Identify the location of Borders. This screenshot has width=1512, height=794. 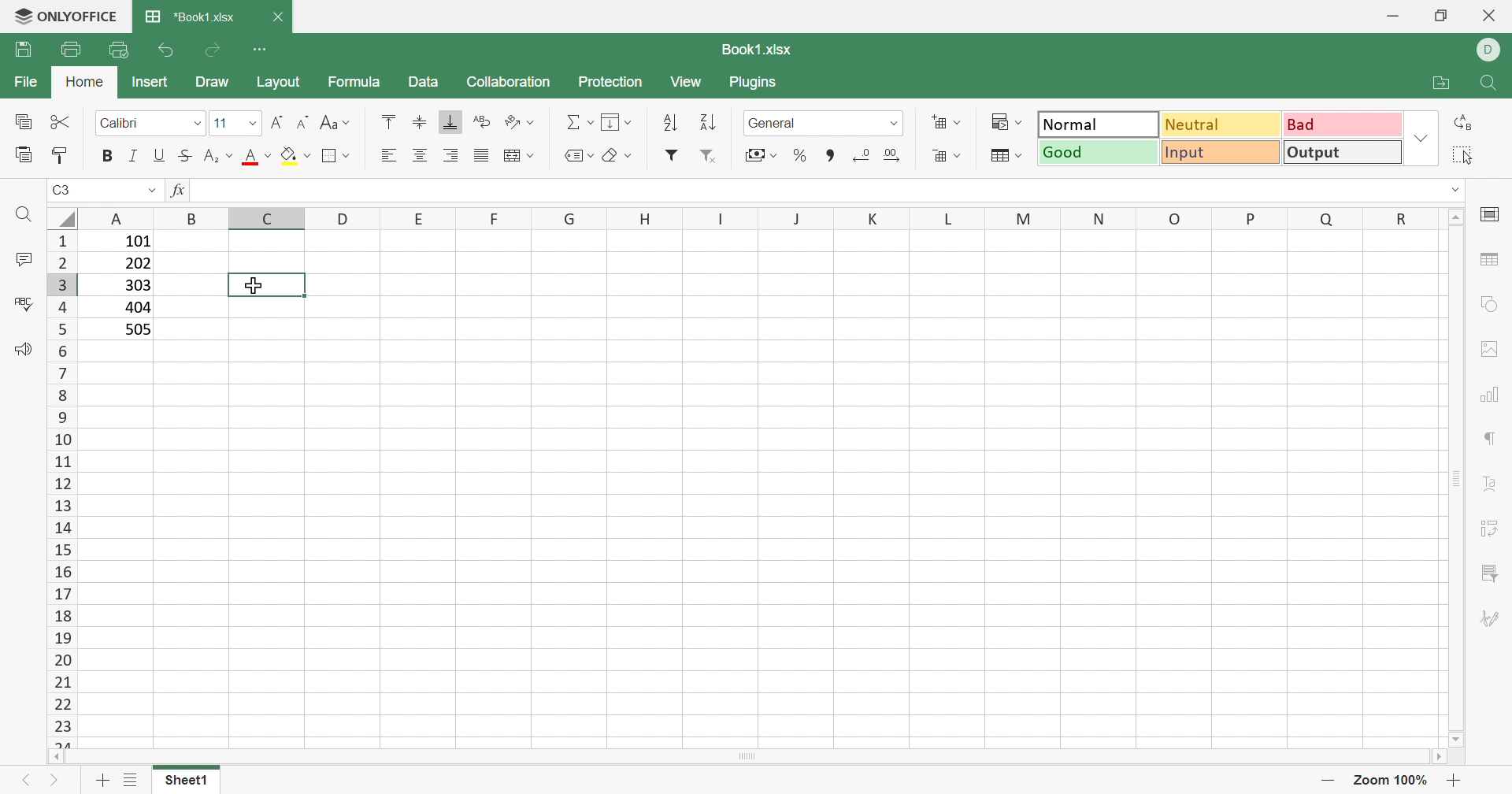
(335, 156).